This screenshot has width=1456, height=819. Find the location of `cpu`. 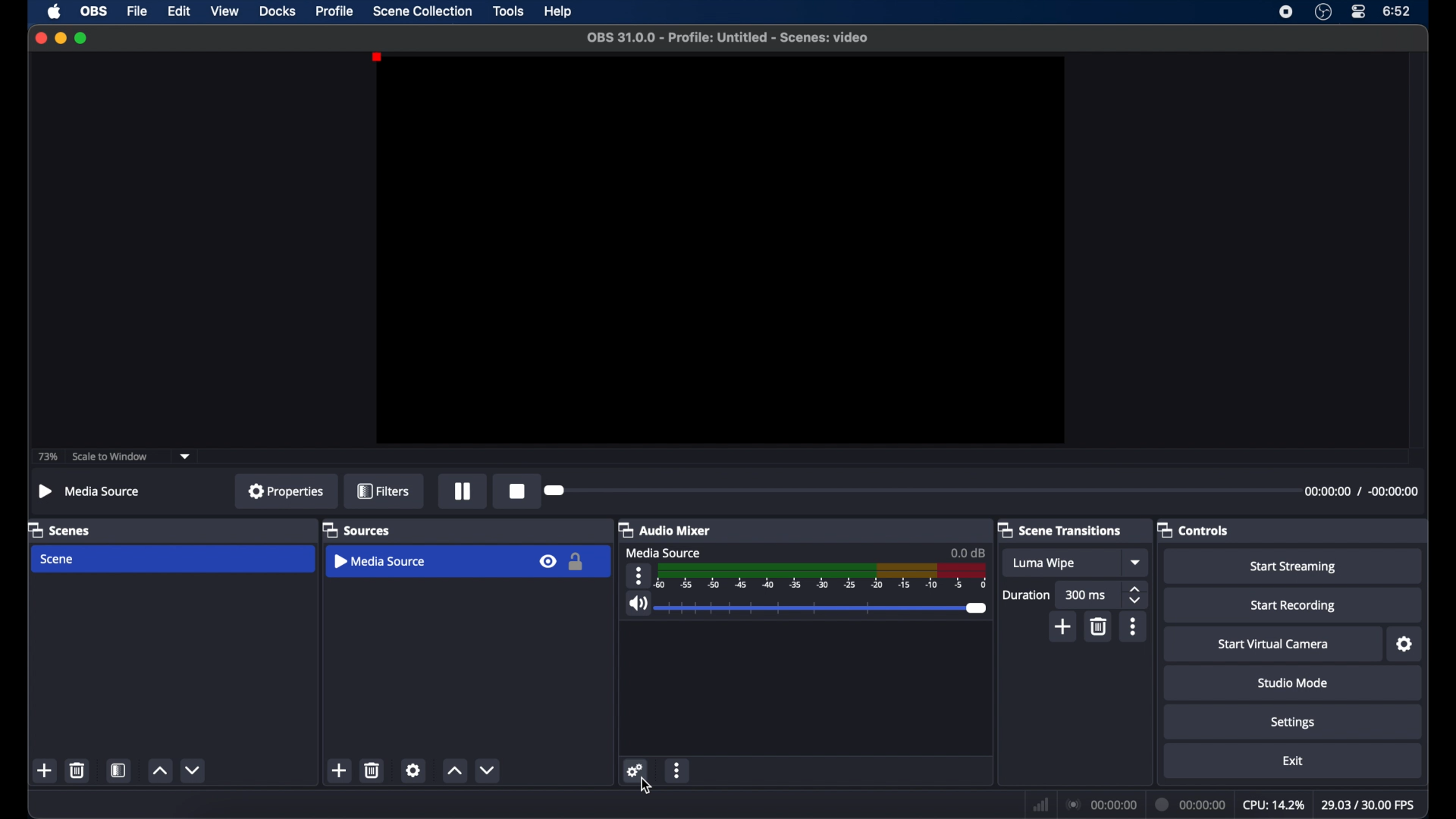

cpu is located at coordinates (1274, 805).